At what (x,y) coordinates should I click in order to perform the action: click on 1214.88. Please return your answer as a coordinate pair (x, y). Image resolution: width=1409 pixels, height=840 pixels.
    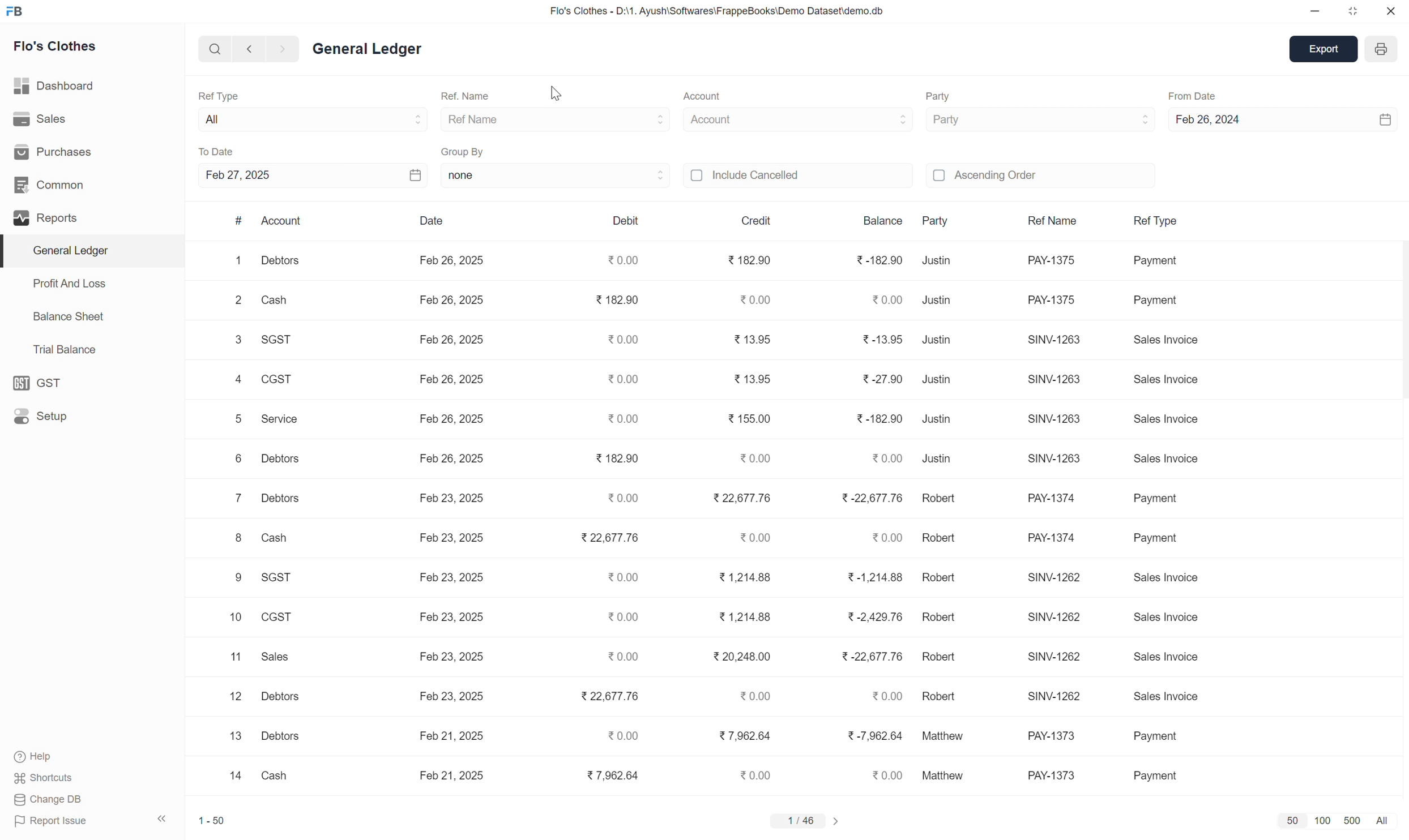
    Looking at the image, I should click on (747, 616).